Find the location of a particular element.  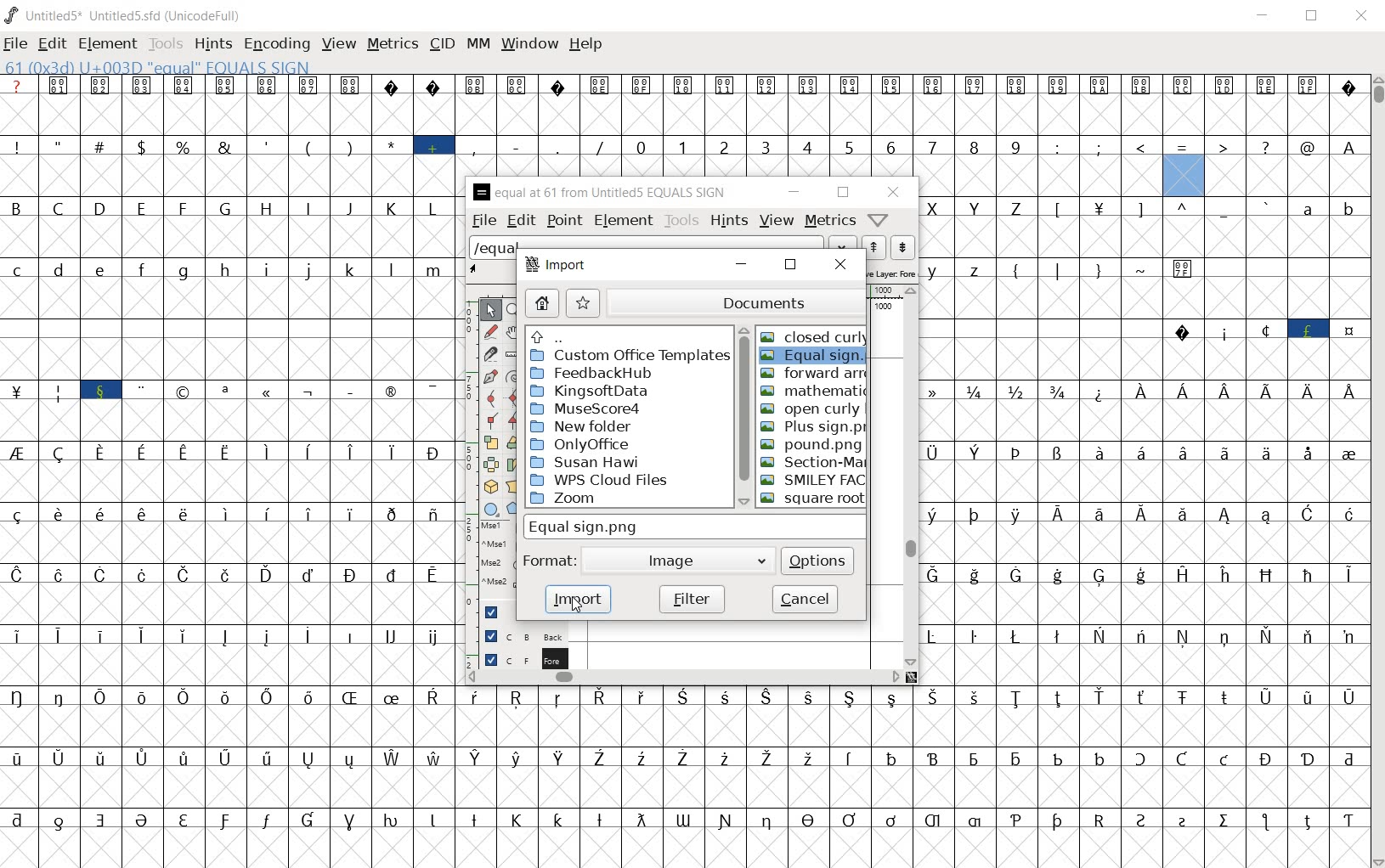

import is located at coordinates (557, 265).